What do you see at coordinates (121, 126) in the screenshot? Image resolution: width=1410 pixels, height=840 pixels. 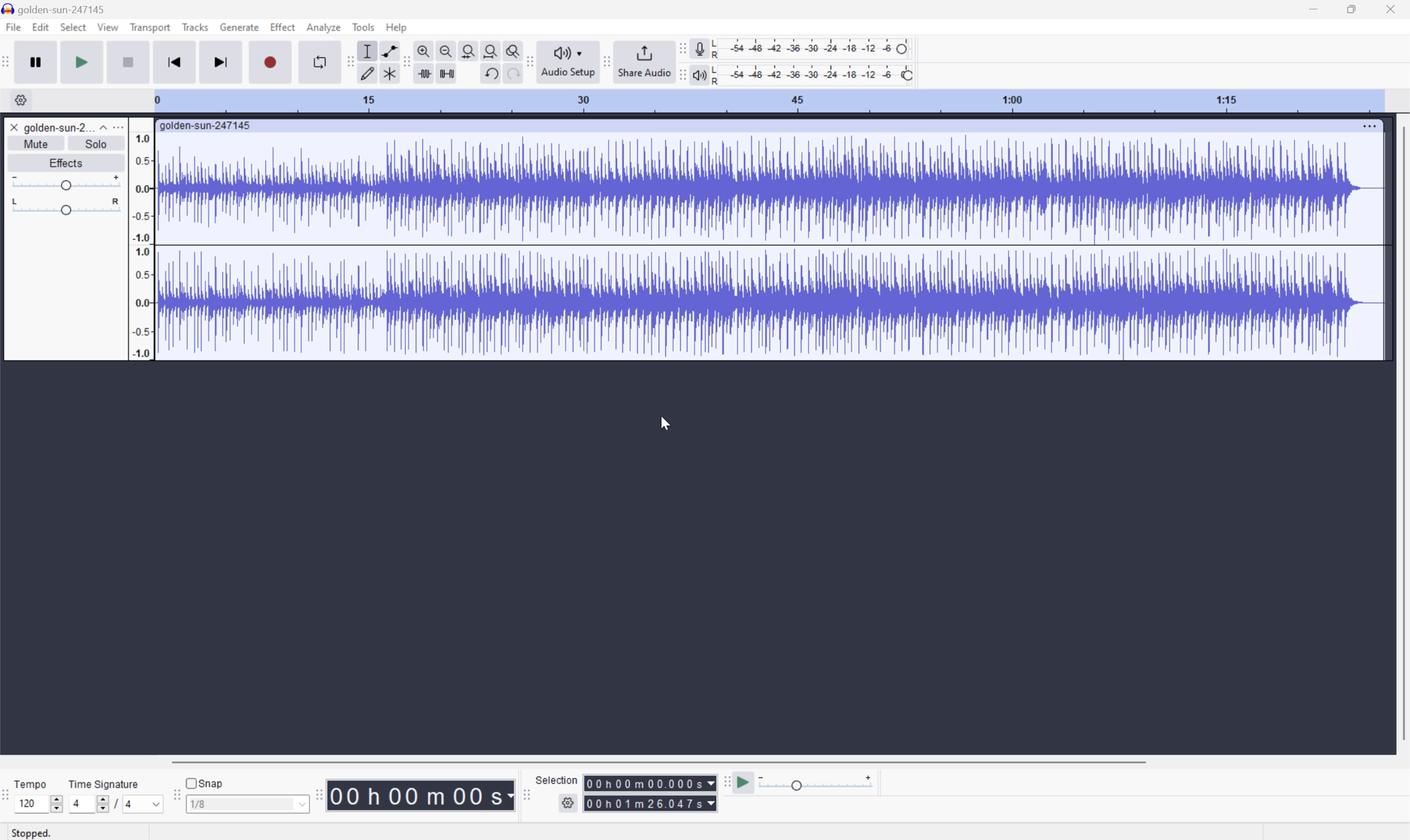 I see `More` at bounding box center [121, 126].